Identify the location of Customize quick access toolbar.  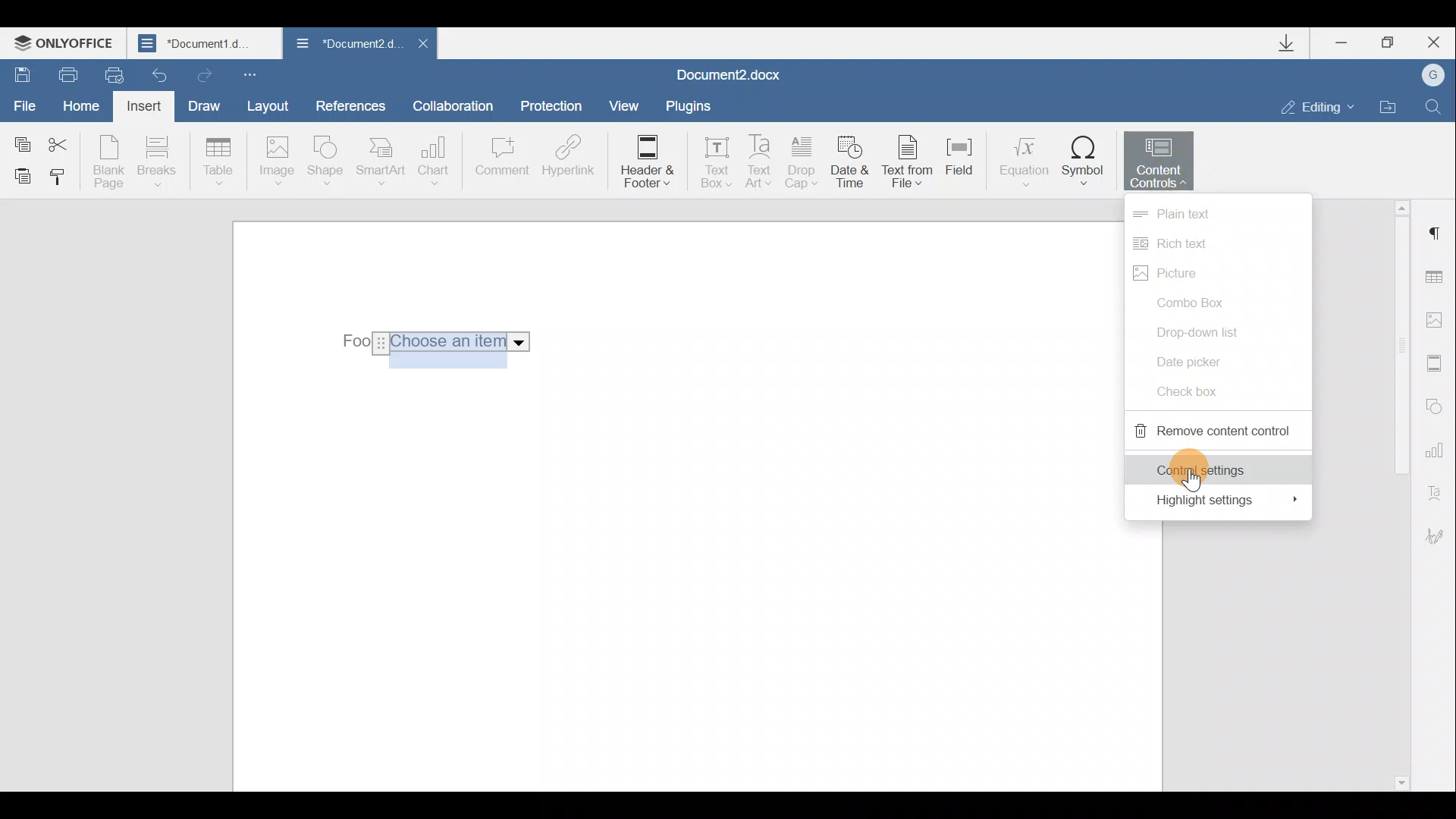
(253, 74).